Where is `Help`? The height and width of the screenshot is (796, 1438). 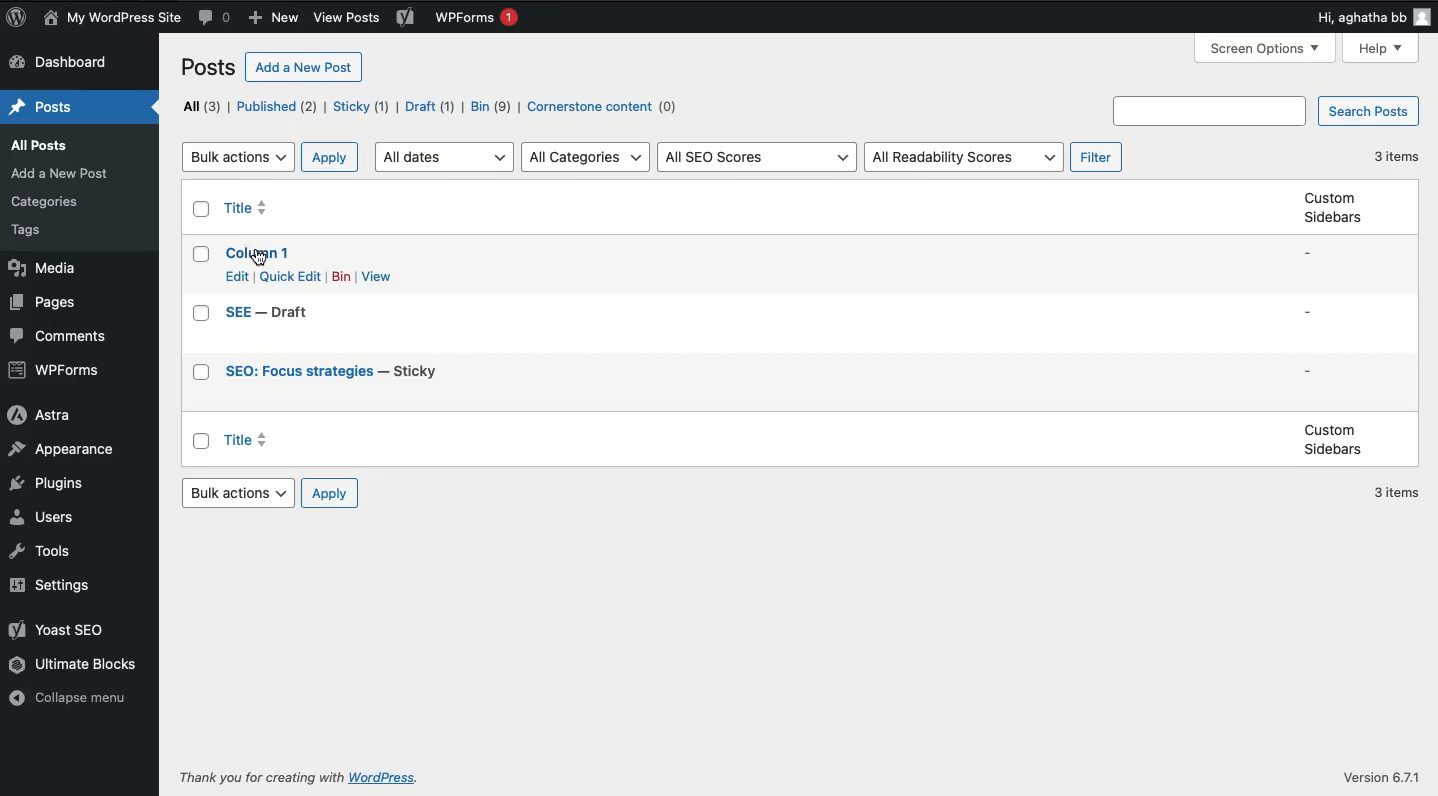
Help is located at coordinates (1380, 49).